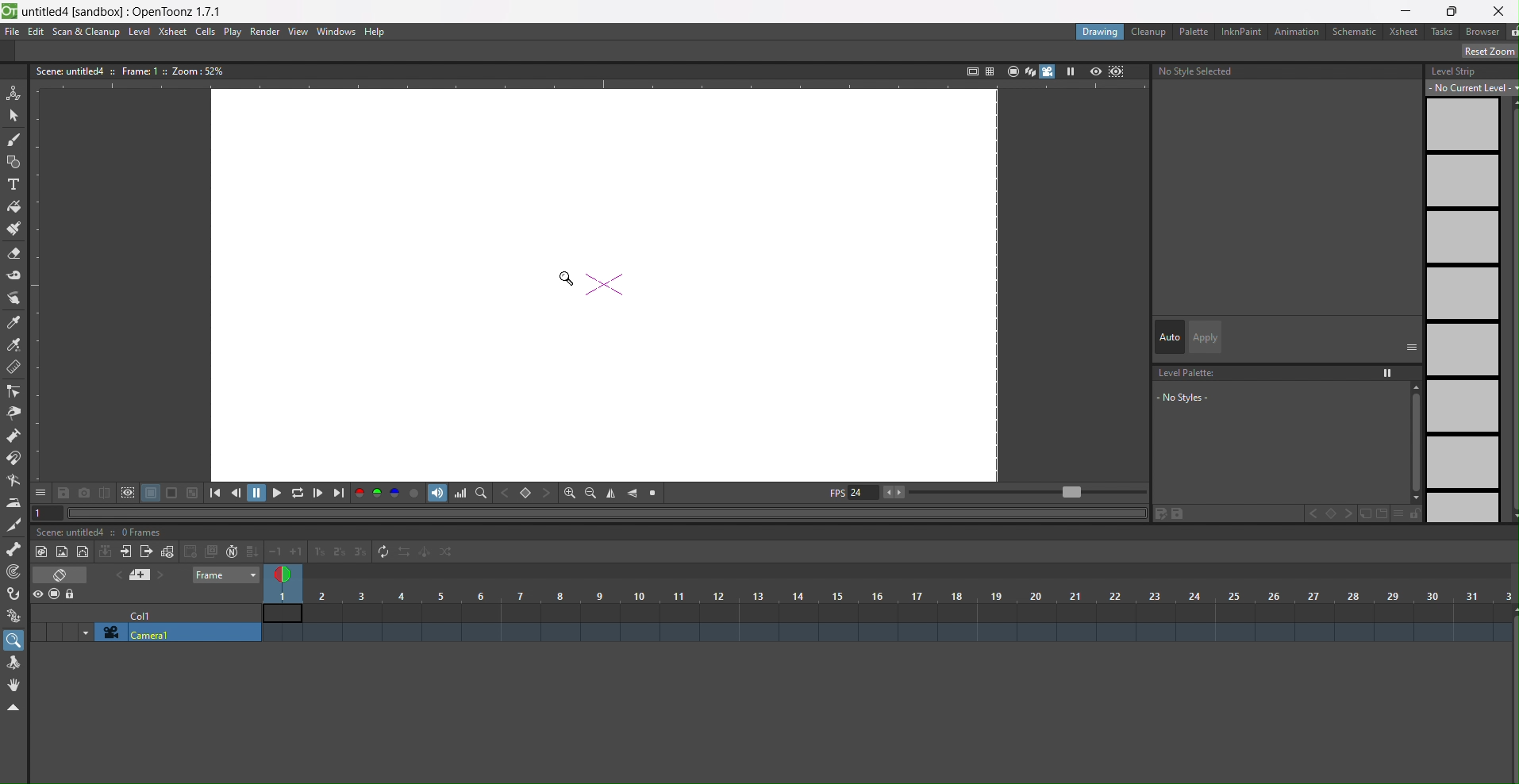  Describe the element at coordinates (37, 31) in the screenshot. I see `edit` at that location.